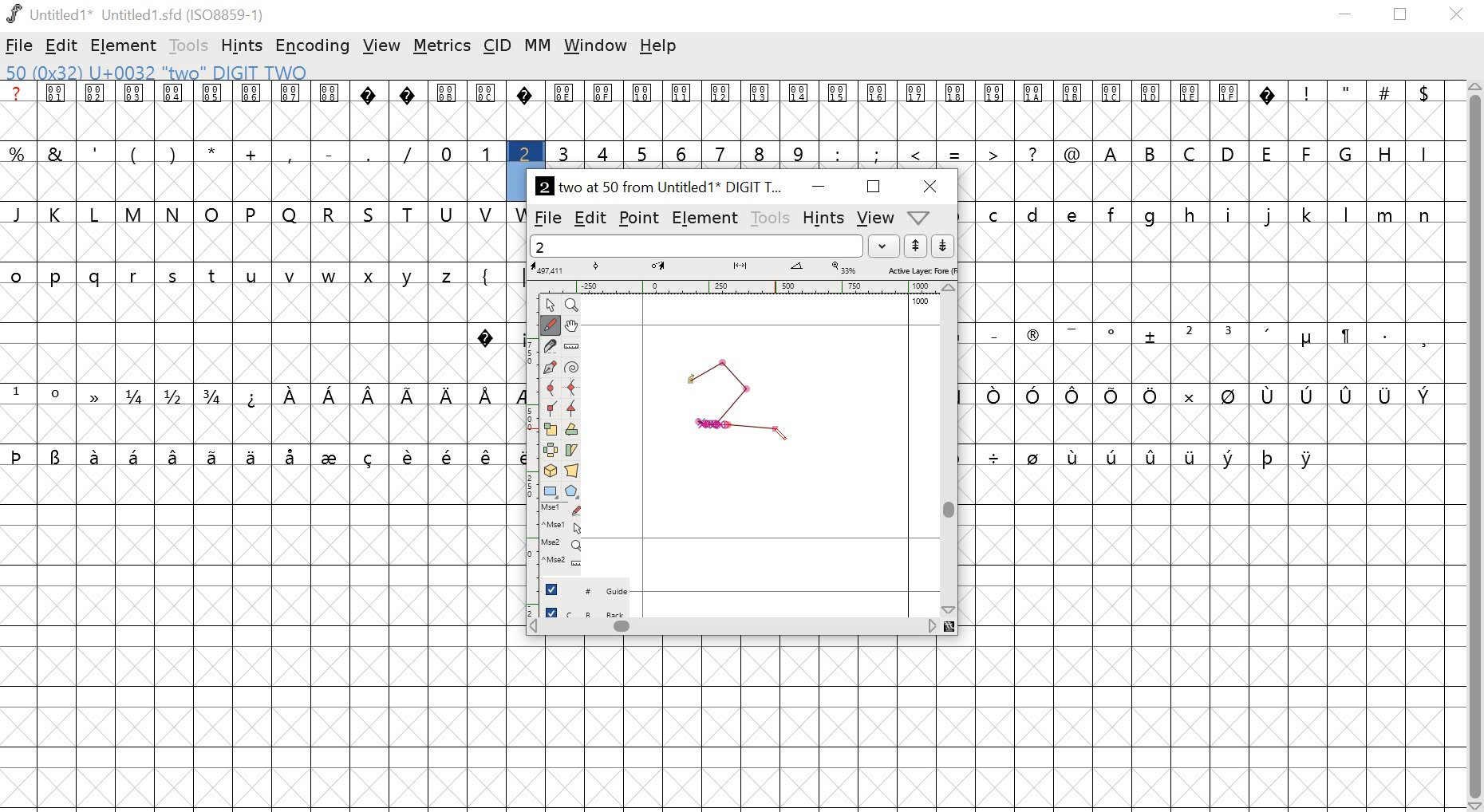 The image size is (1484, 812). What do you see at coordinates (590, 219) in the screenshot?
I see `edit` at bounding box center [590, 219].